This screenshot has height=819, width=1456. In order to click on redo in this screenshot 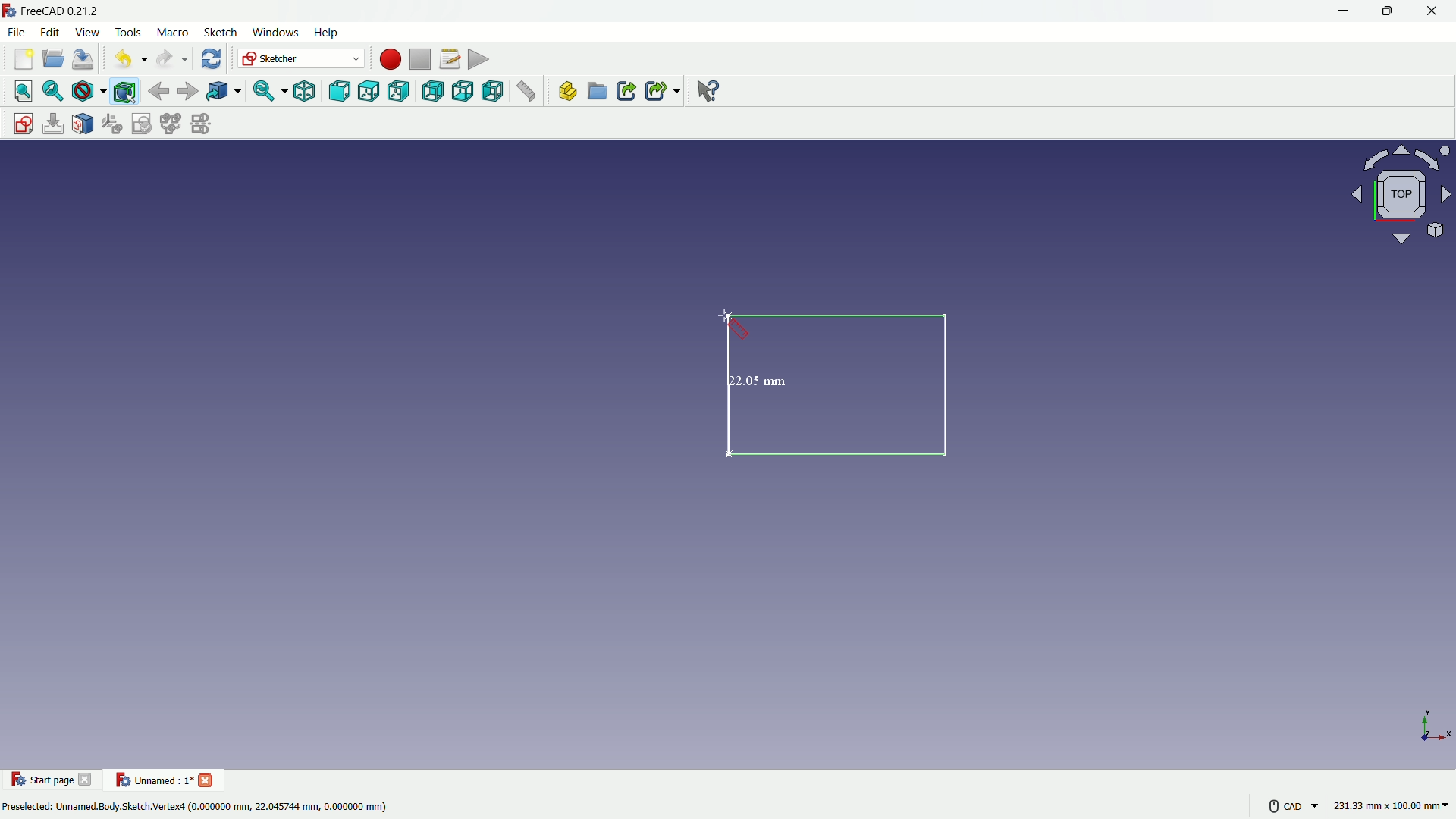, I will do `click(170, 59)`.